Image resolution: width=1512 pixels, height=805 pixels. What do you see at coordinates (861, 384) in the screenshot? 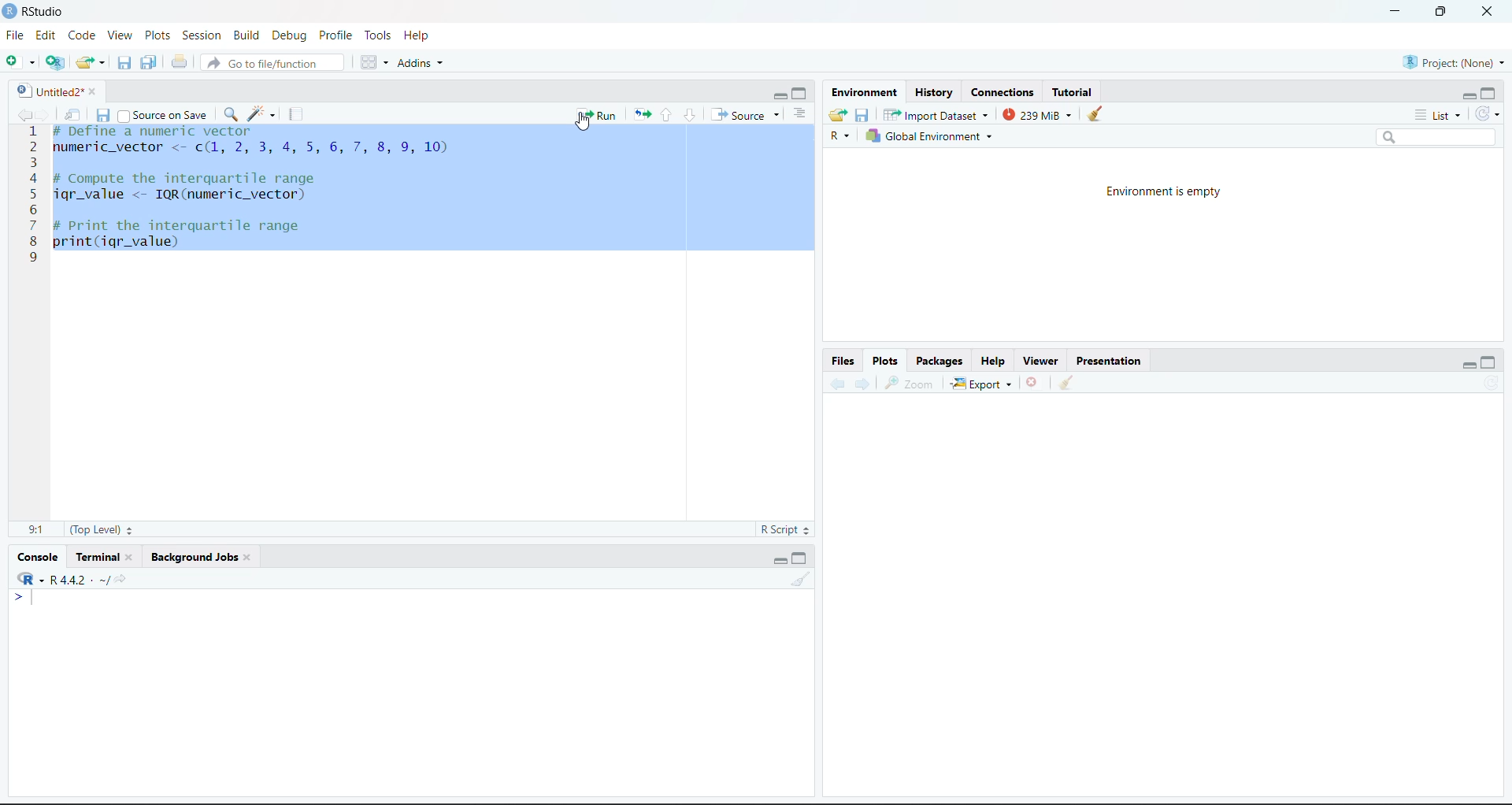
I see `Go forward to the next source location (Ctrl + F10)` at bounding box center [861, 384].